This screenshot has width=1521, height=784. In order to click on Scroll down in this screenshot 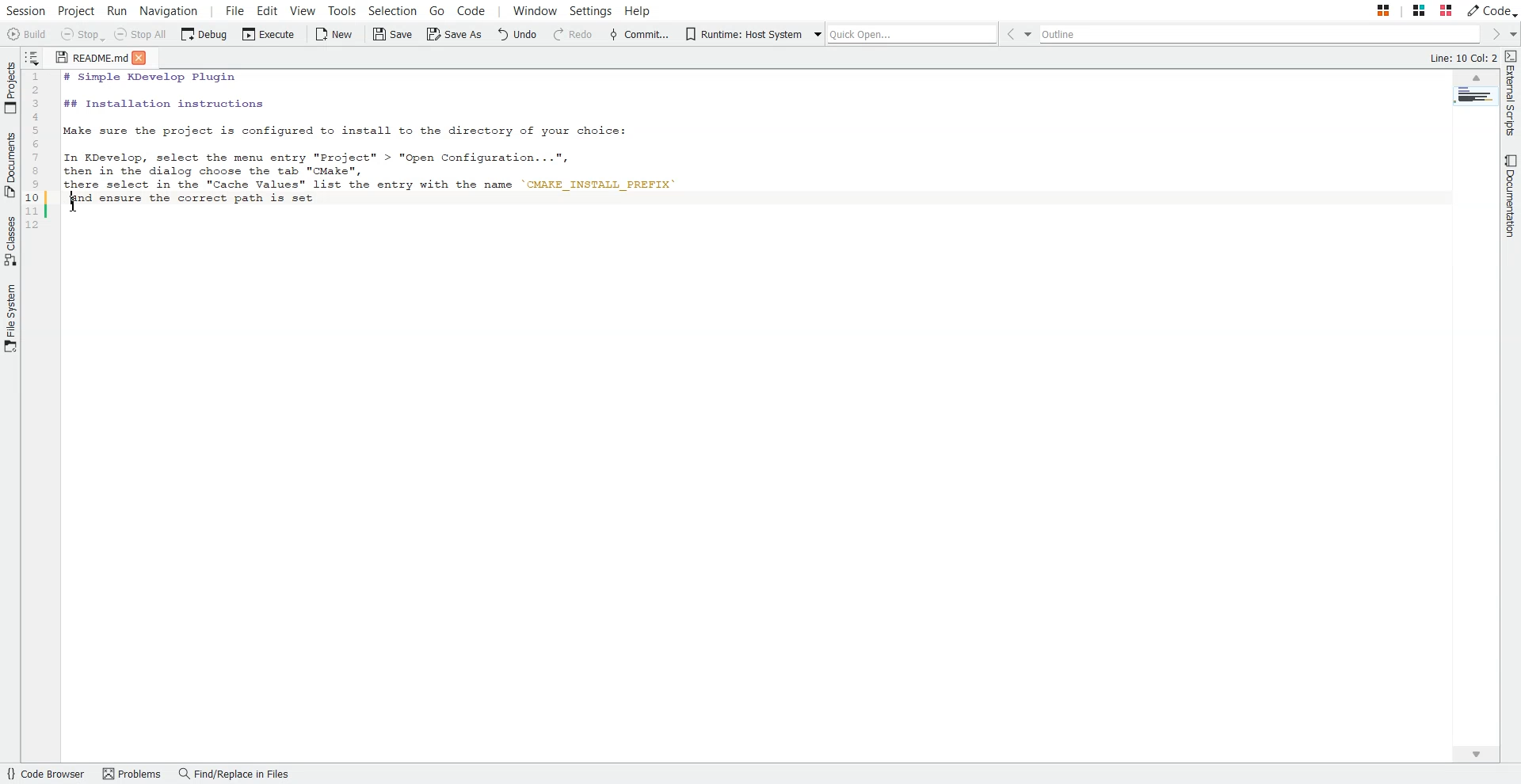, I will do `click(1474, 754)`.